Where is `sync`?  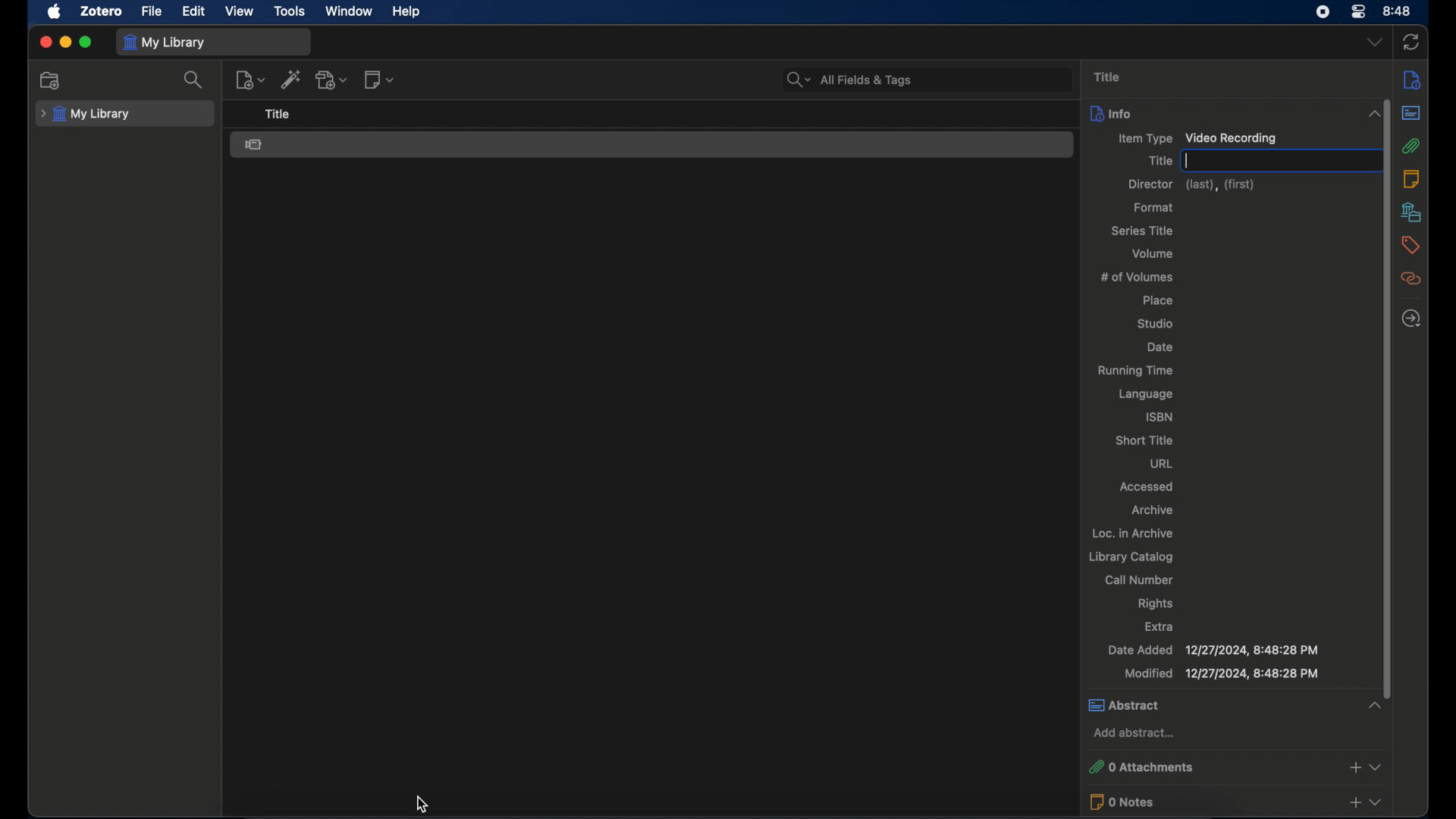 sync is located at coordinates (1412, 42).